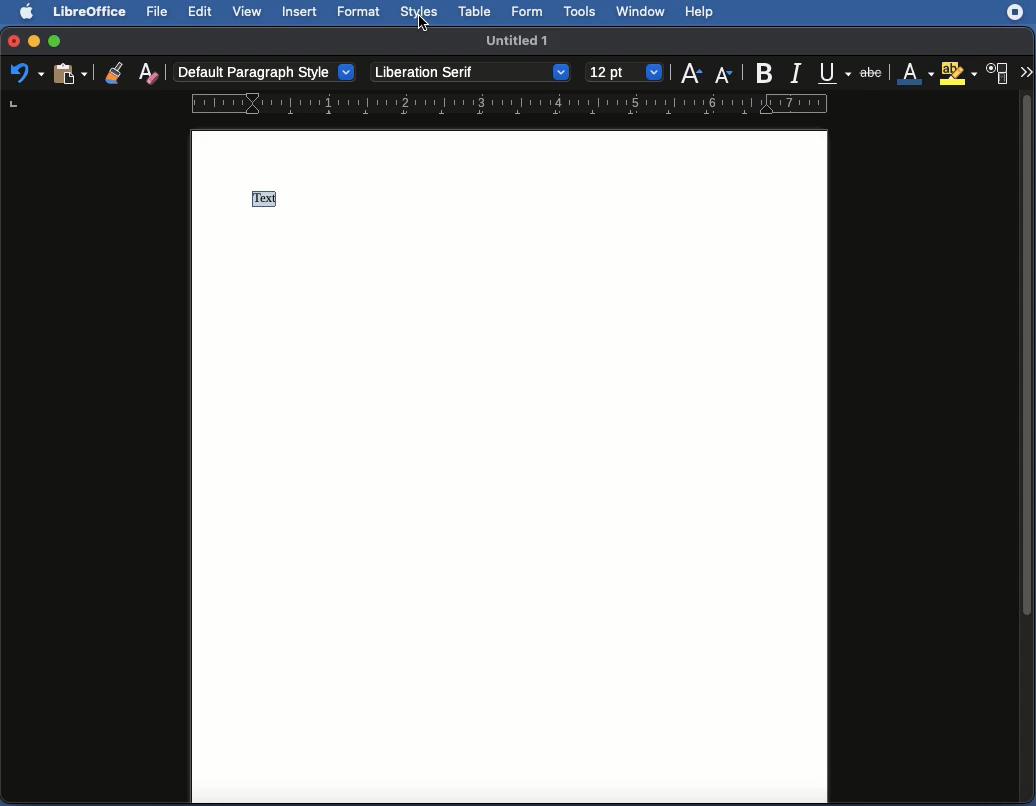 This screenshot has height=806, width=1036. I want to click on Edit, so click(202, 12).